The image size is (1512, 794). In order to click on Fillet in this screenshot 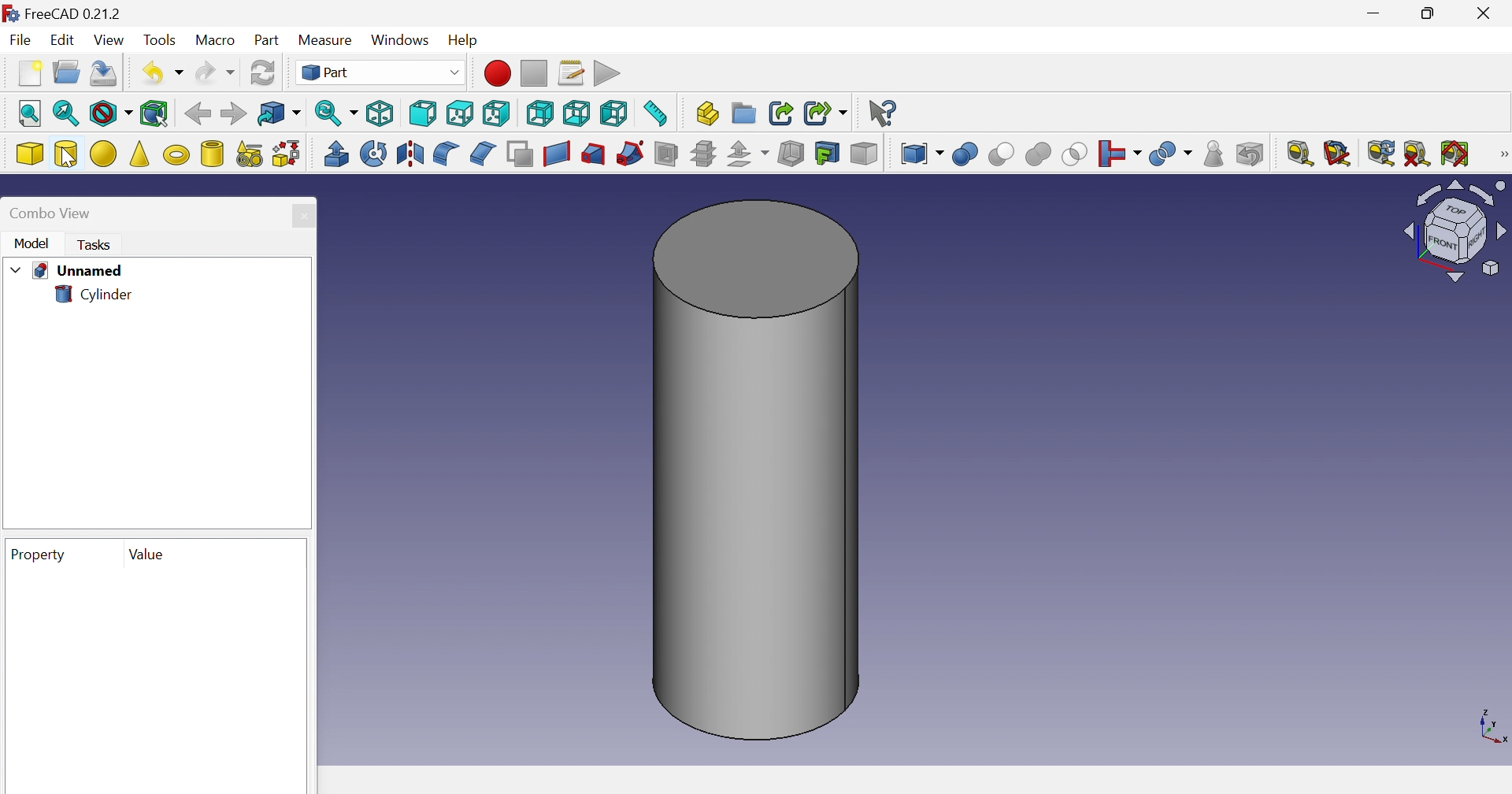, I will do `click(445, 154)`.